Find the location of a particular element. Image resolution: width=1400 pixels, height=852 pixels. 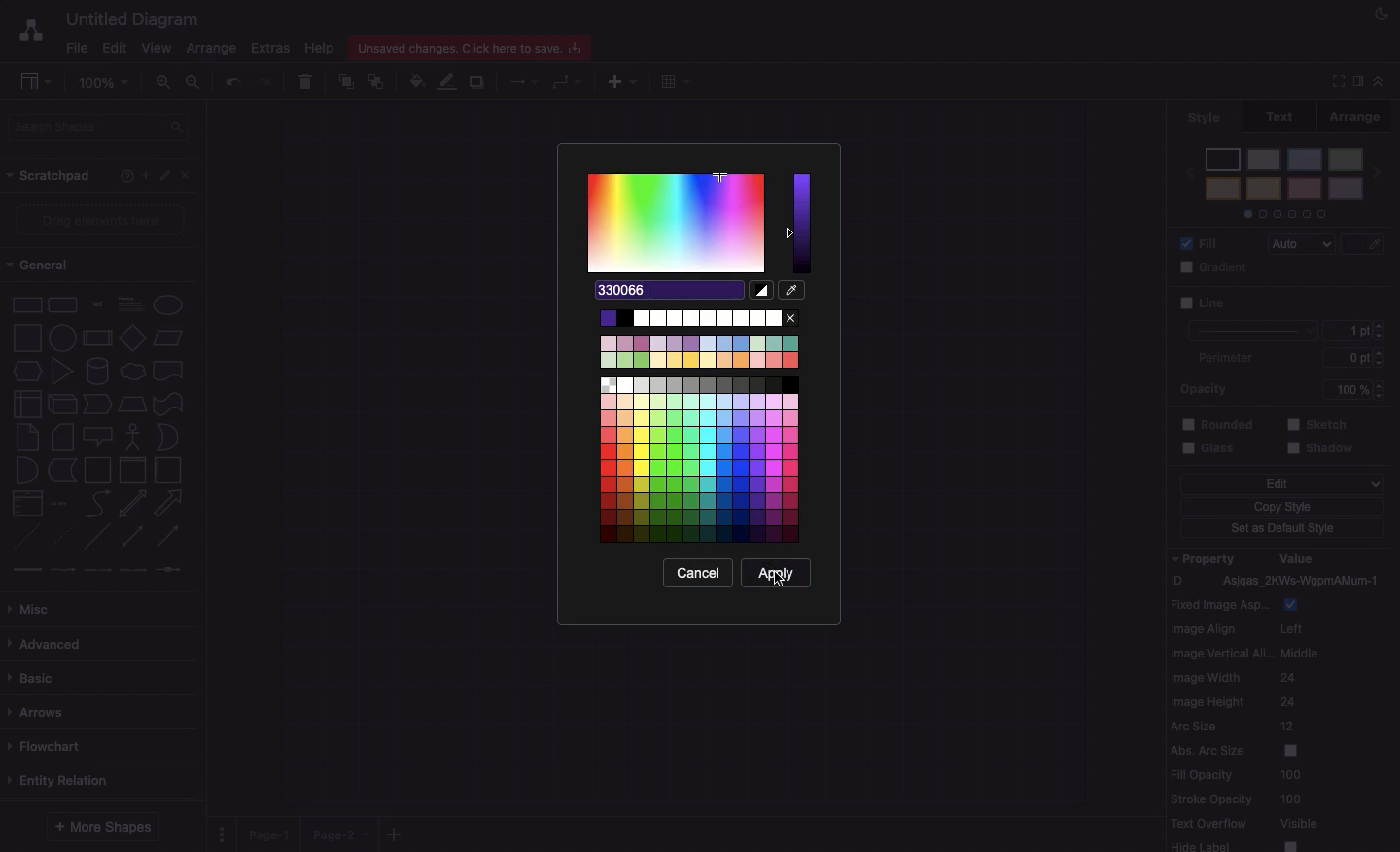

Edit is located at coordinates (165, 176).